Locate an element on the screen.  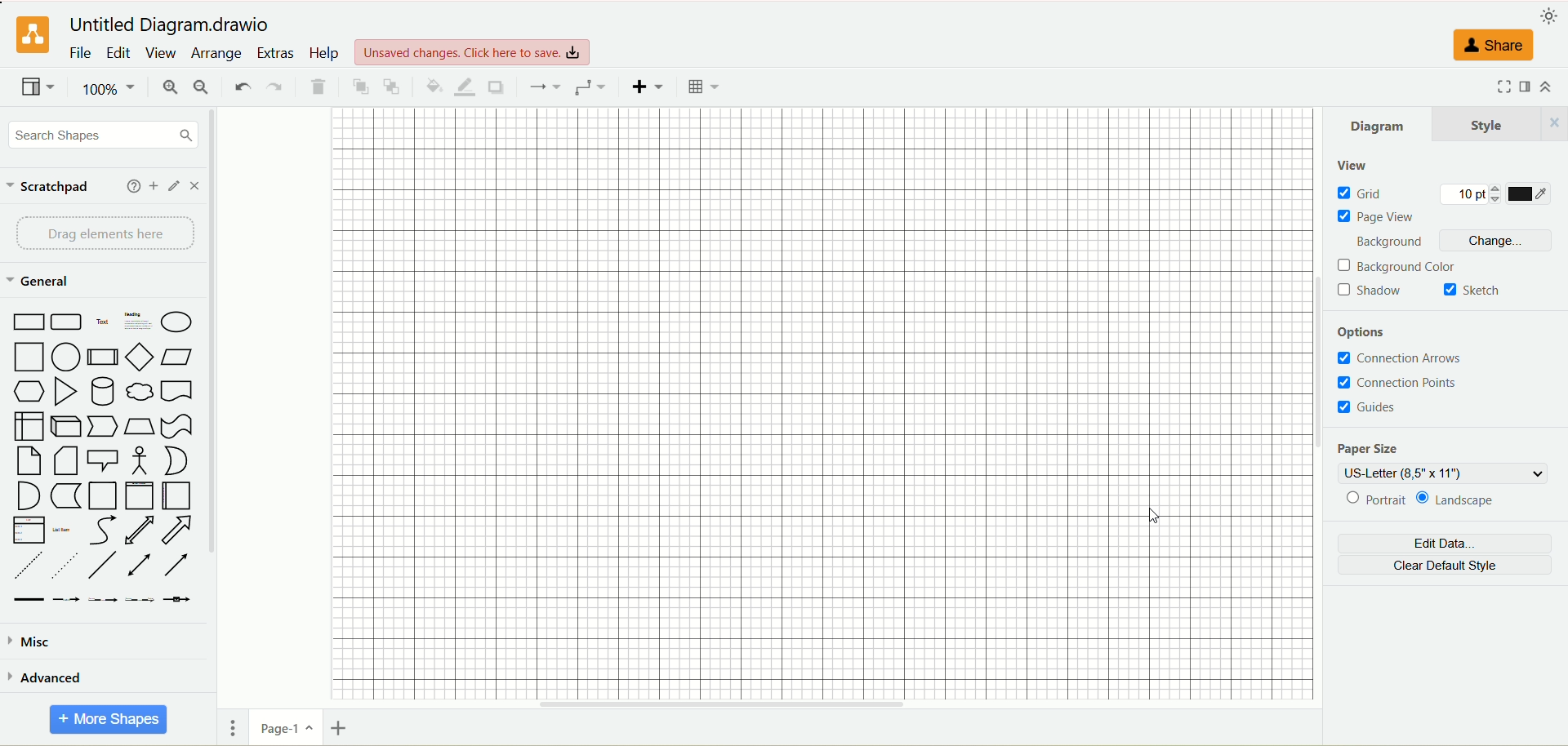
fill color is located at coordinates (431, 85).